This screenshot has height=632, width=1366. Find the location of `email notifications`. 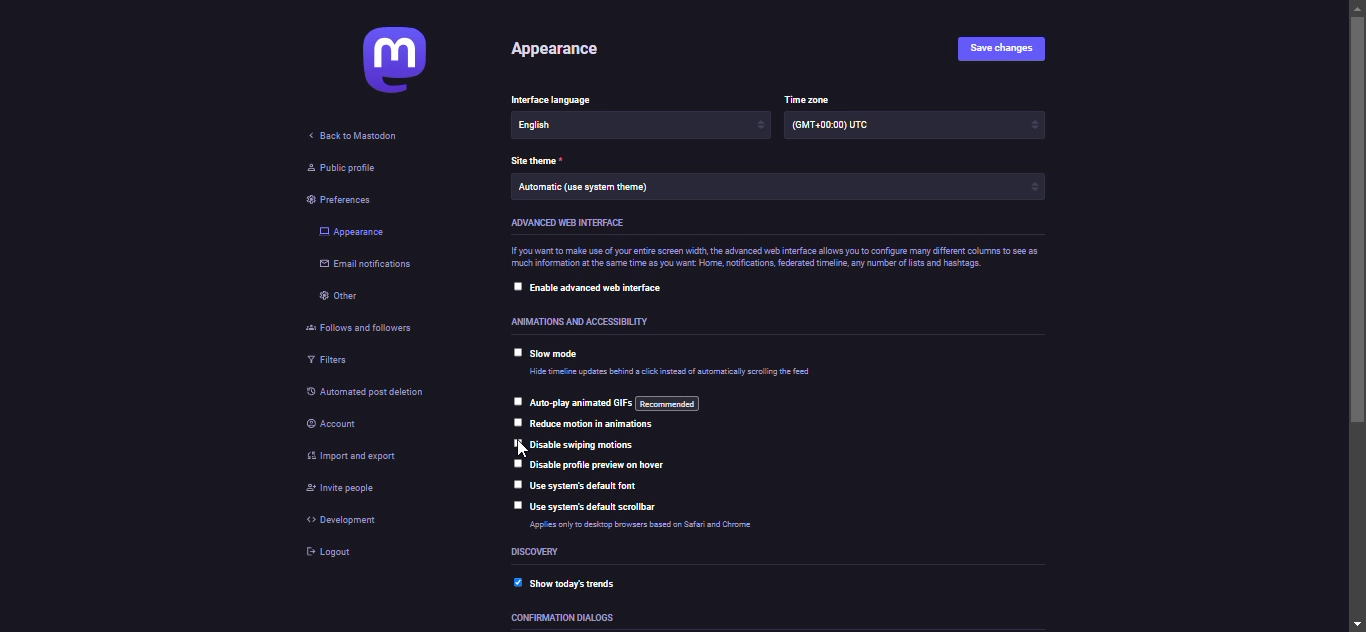

email notifications is located at coordinates (367, 265).